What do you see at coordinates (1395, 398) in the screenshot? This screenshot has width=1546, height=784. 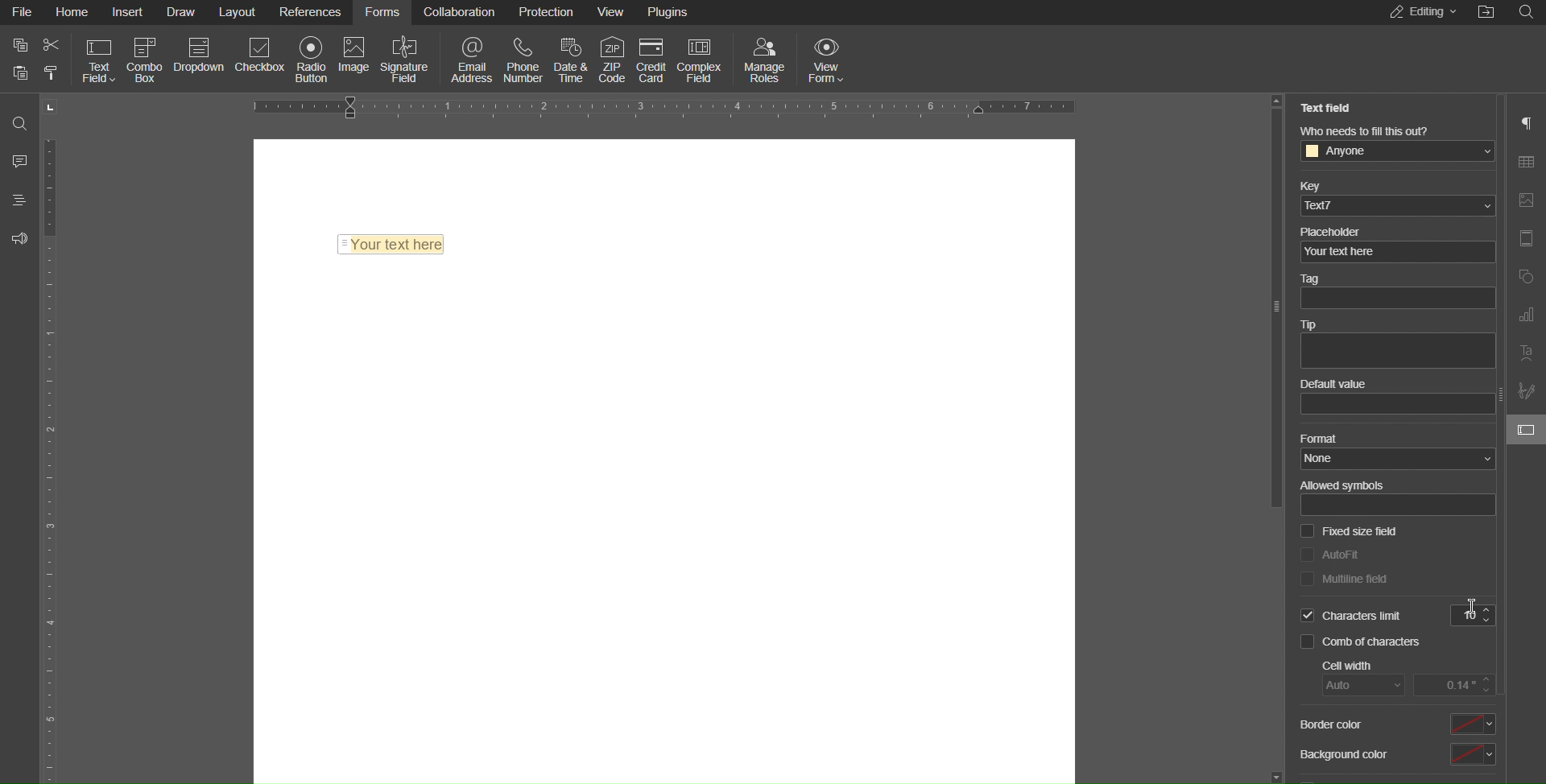 I see `Default value` at bounding box center [1395, 398].